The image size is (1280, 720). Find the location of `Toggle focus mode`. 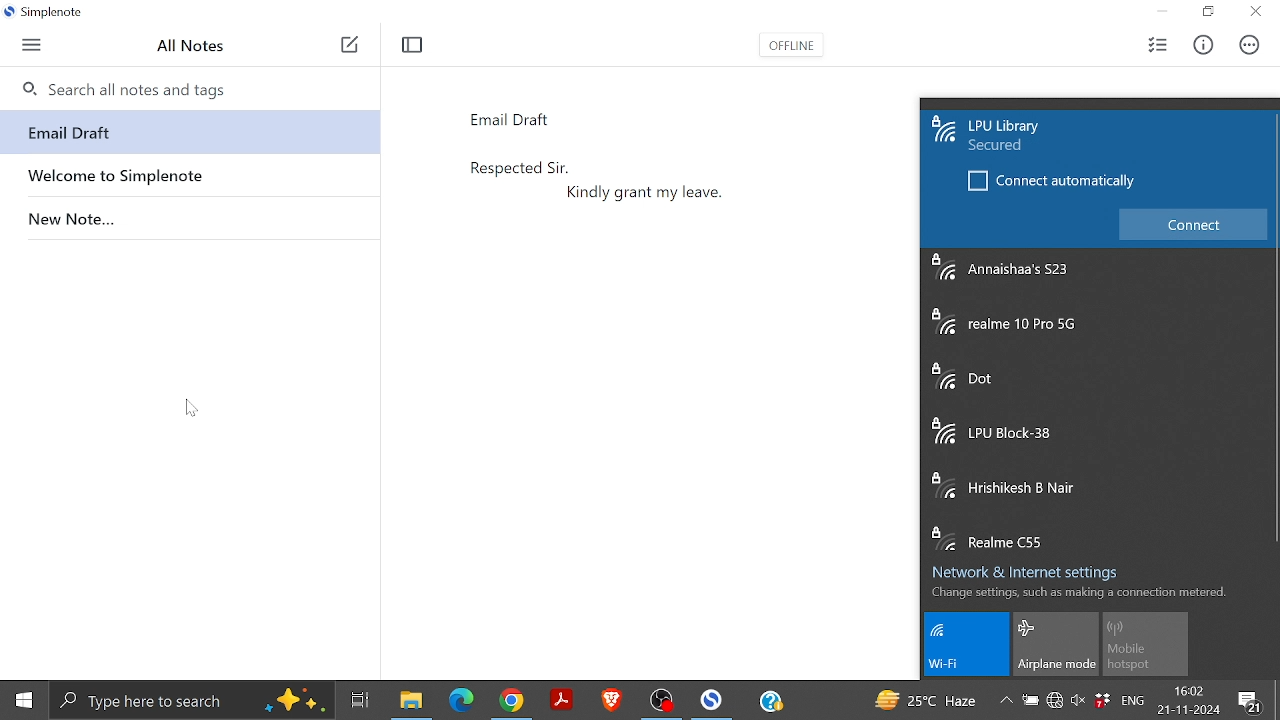

Toggle focus mode is located at coordinates (414, 45).